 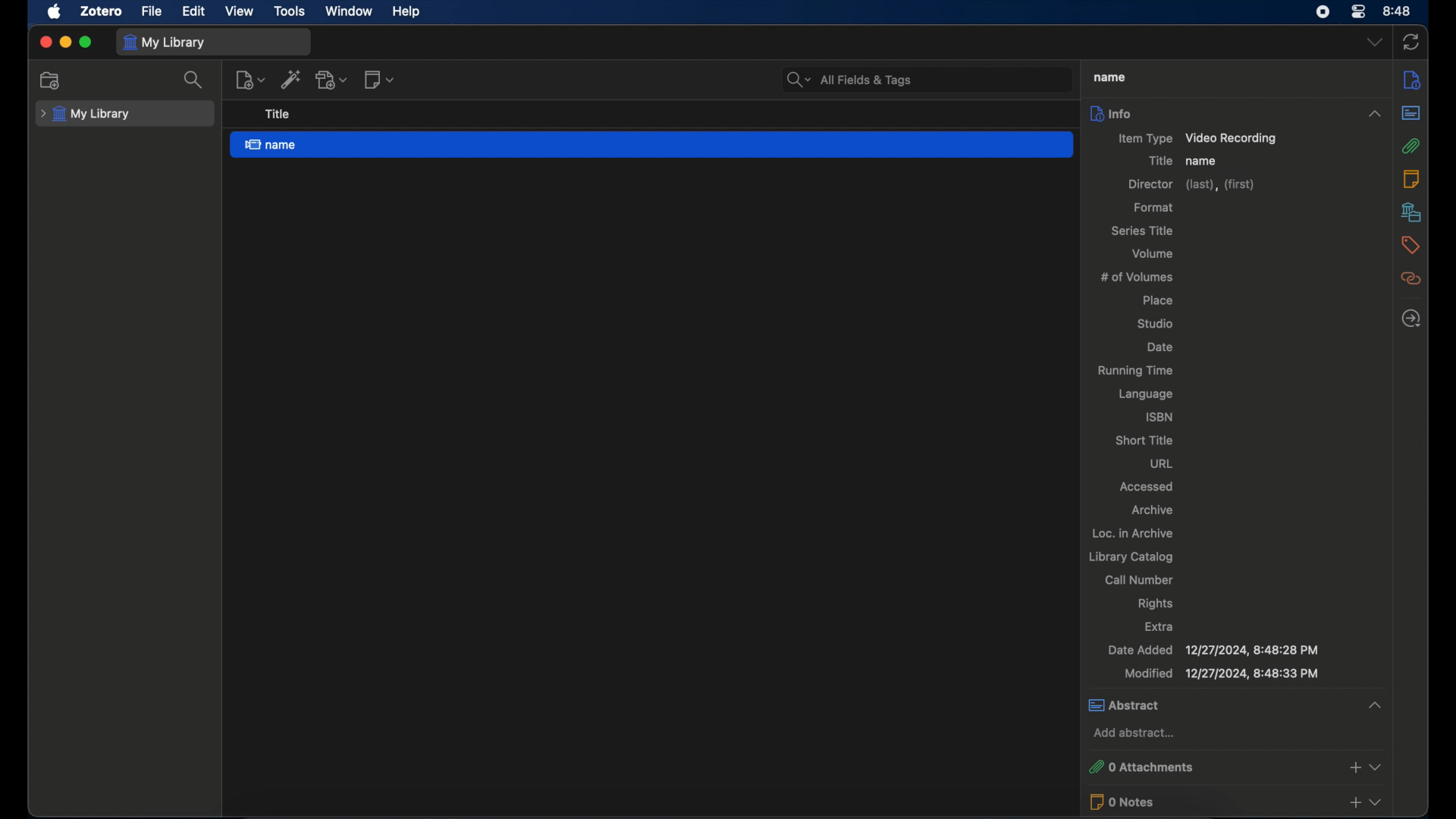 I want to click on search dropdown, so click(x=796, y=76).